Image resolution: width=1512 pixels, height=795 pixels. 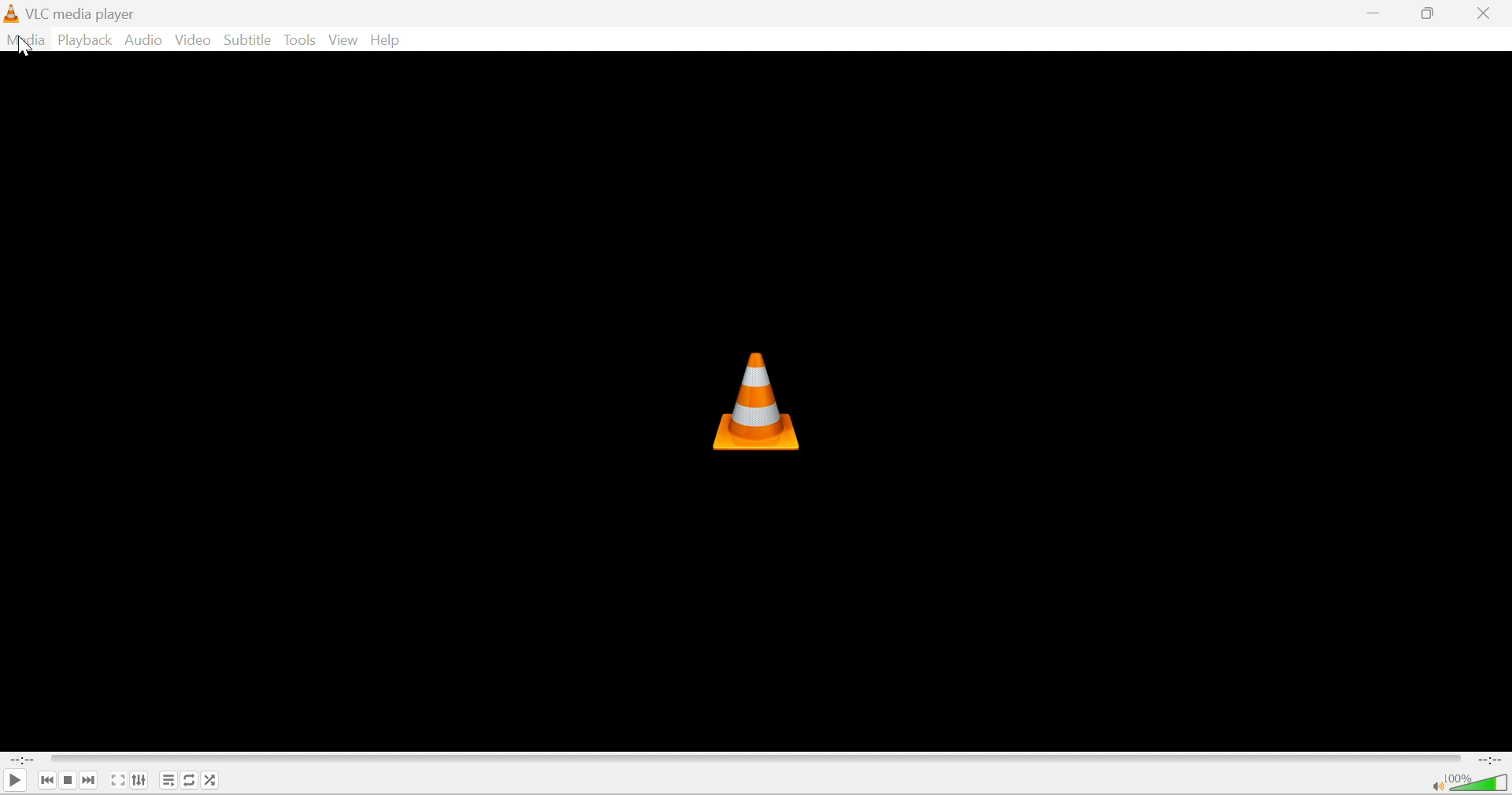 What do you see at coordinates (249, 39) in the screenshot?
I see `Subtitle` at bounding box center [249, 39].